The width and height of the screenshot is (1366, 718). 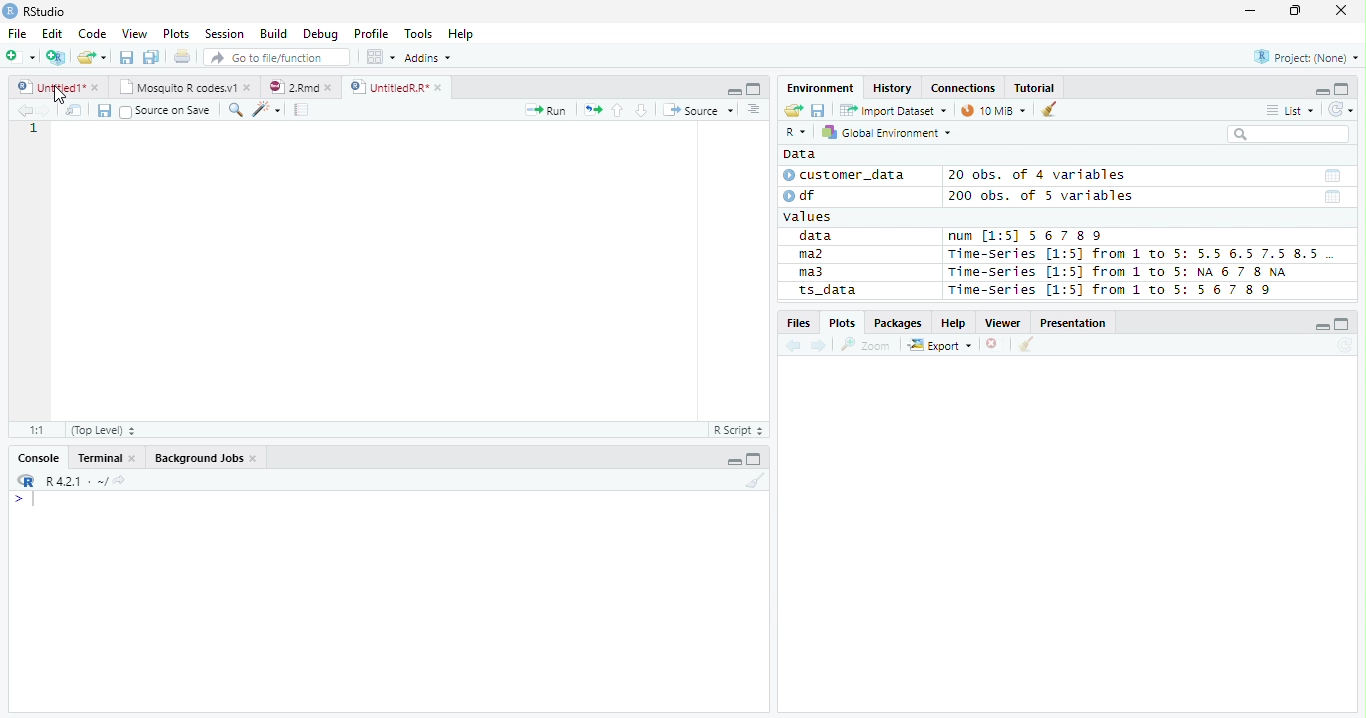 What do you see at coordinates (887, 132) in the screenshot?
I see `Global Environment` at bounding box center [887, 132].